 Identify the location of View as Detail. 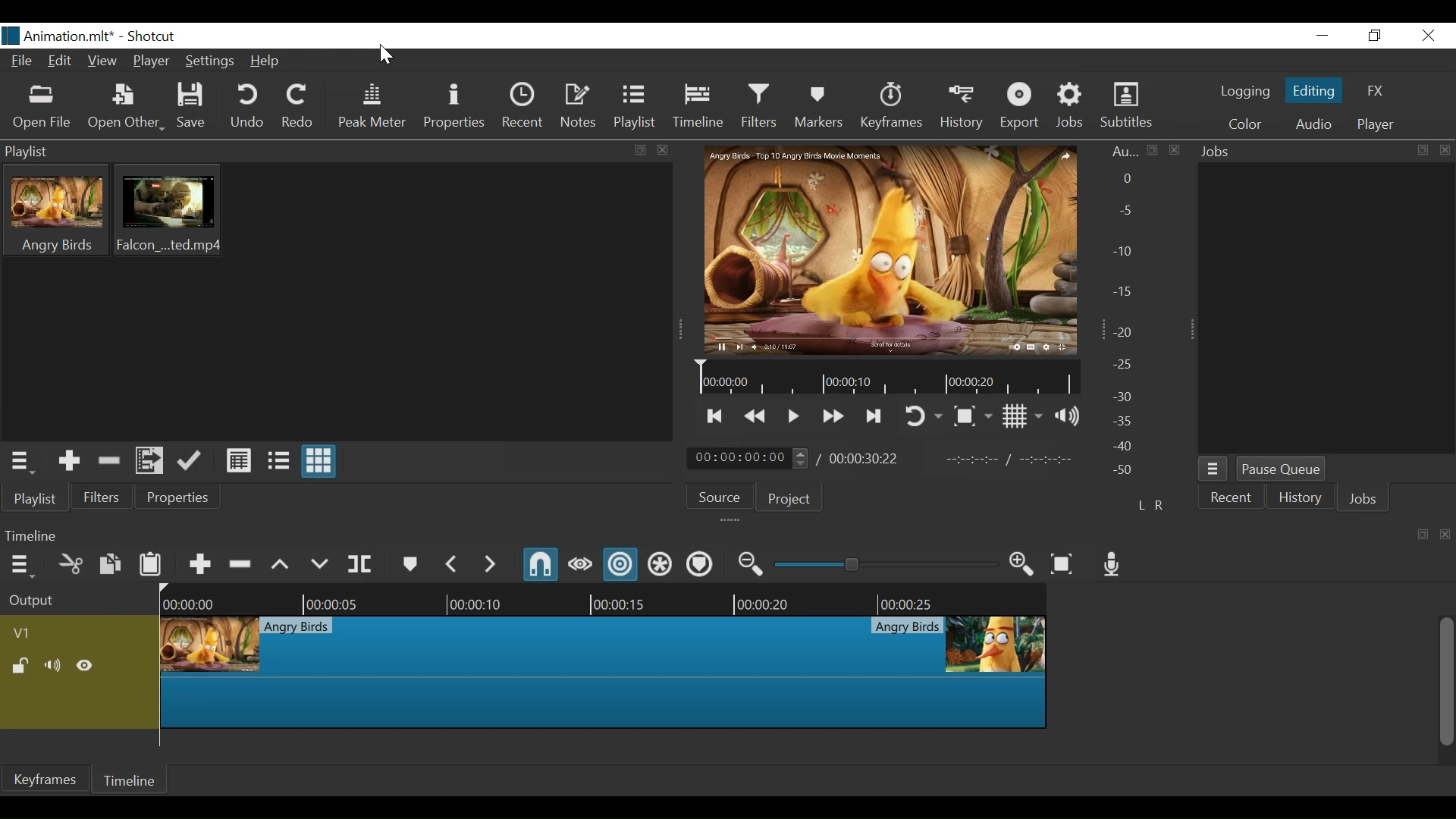
(238, 462).